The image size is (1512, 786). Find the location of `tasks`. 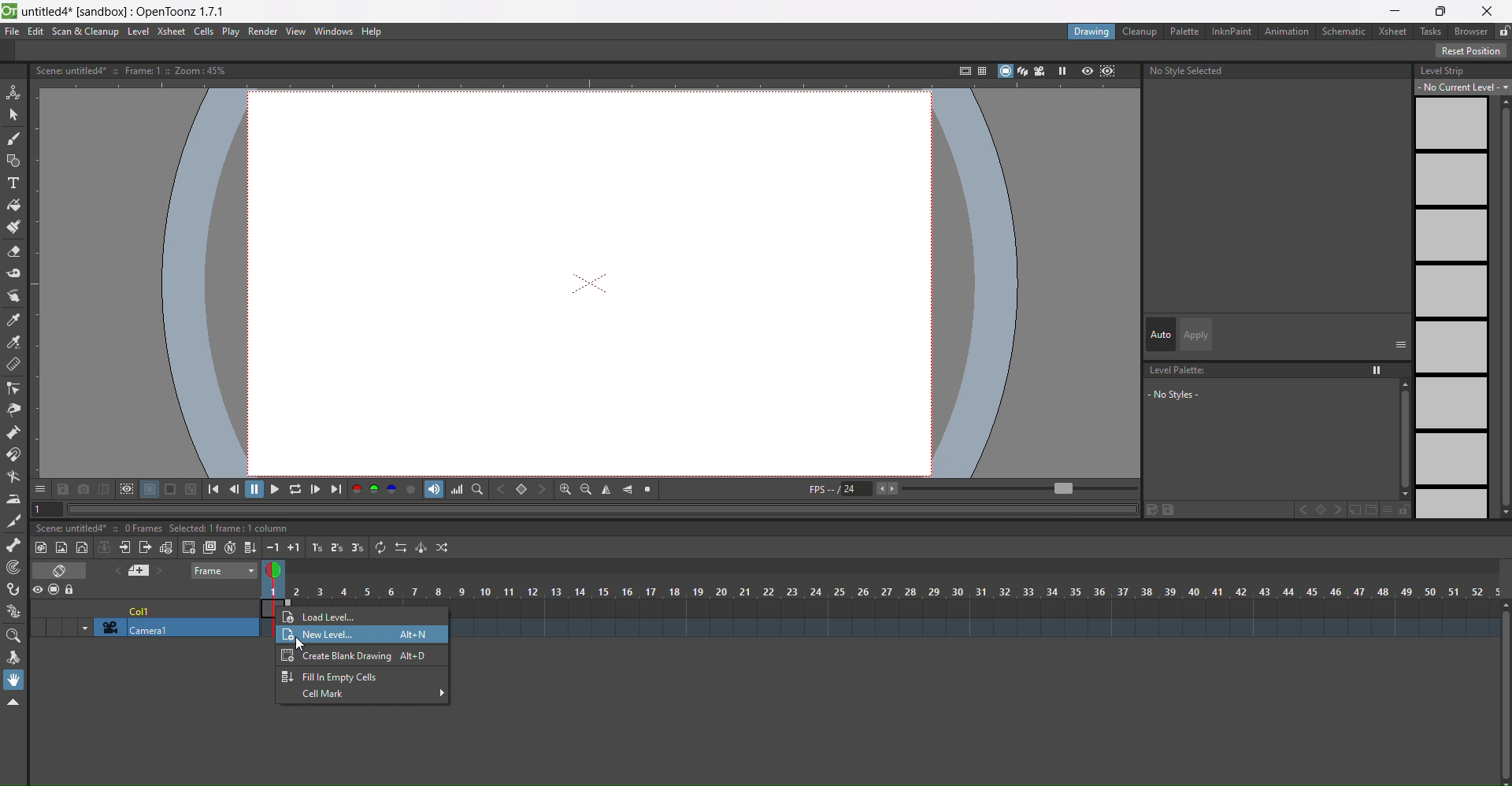

tasks is located at coordinates (1430, 32).